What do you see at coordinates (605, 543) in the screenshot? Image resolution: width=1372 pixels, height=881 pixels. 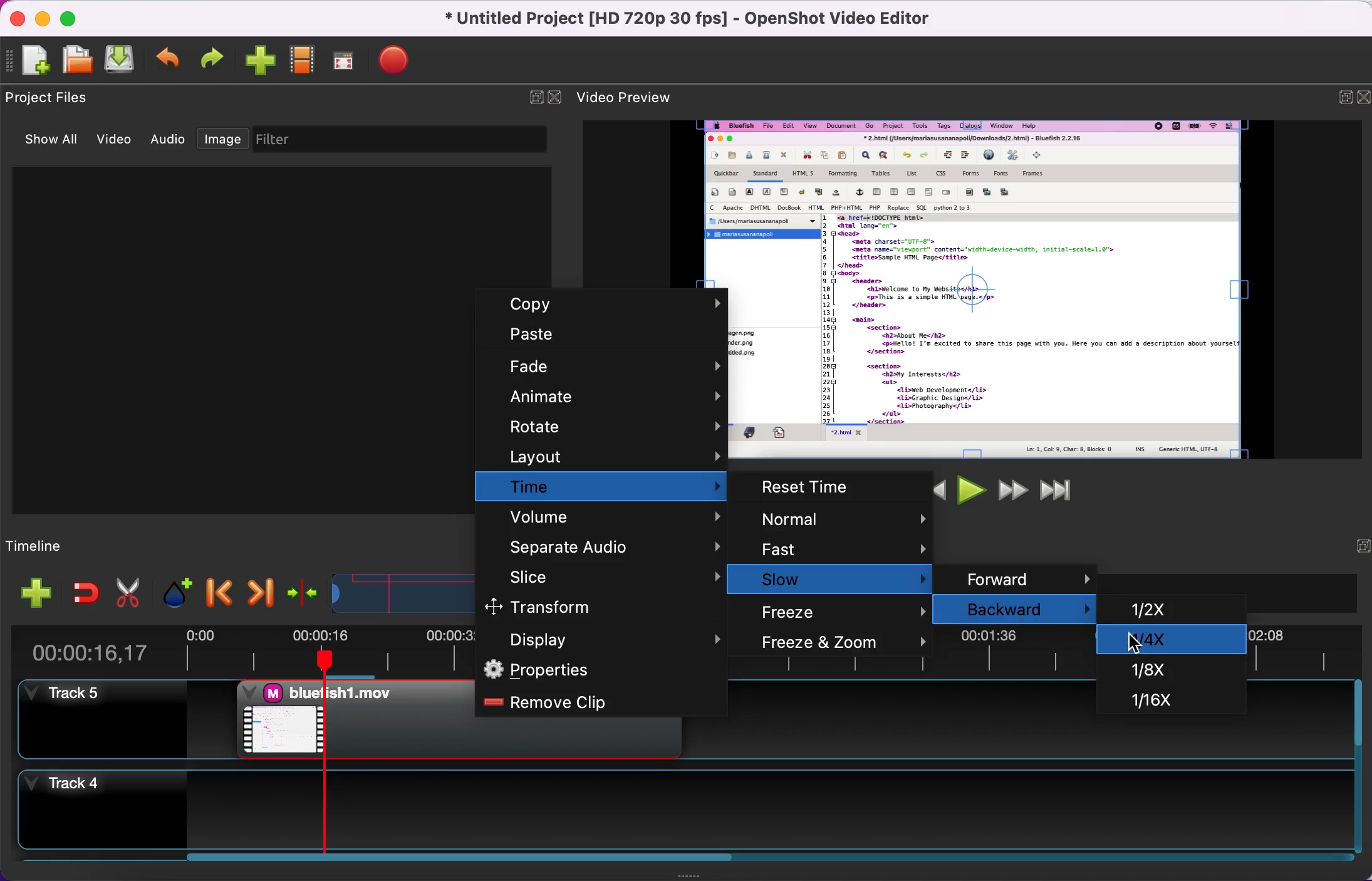 I see `separate audio` at bounding box center [605, 543].